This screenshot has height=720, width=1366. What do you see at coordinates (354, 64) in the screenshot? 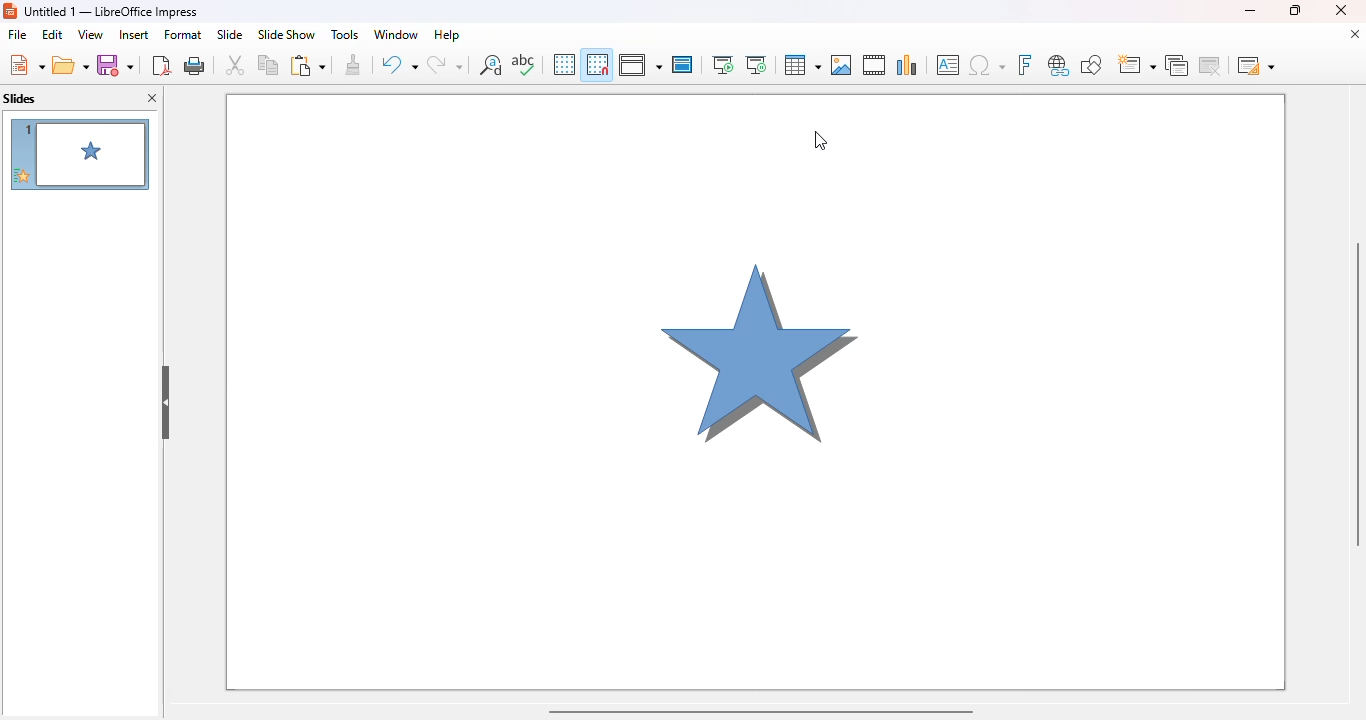
I see `clone formatting` at bounding box center [354, 64].